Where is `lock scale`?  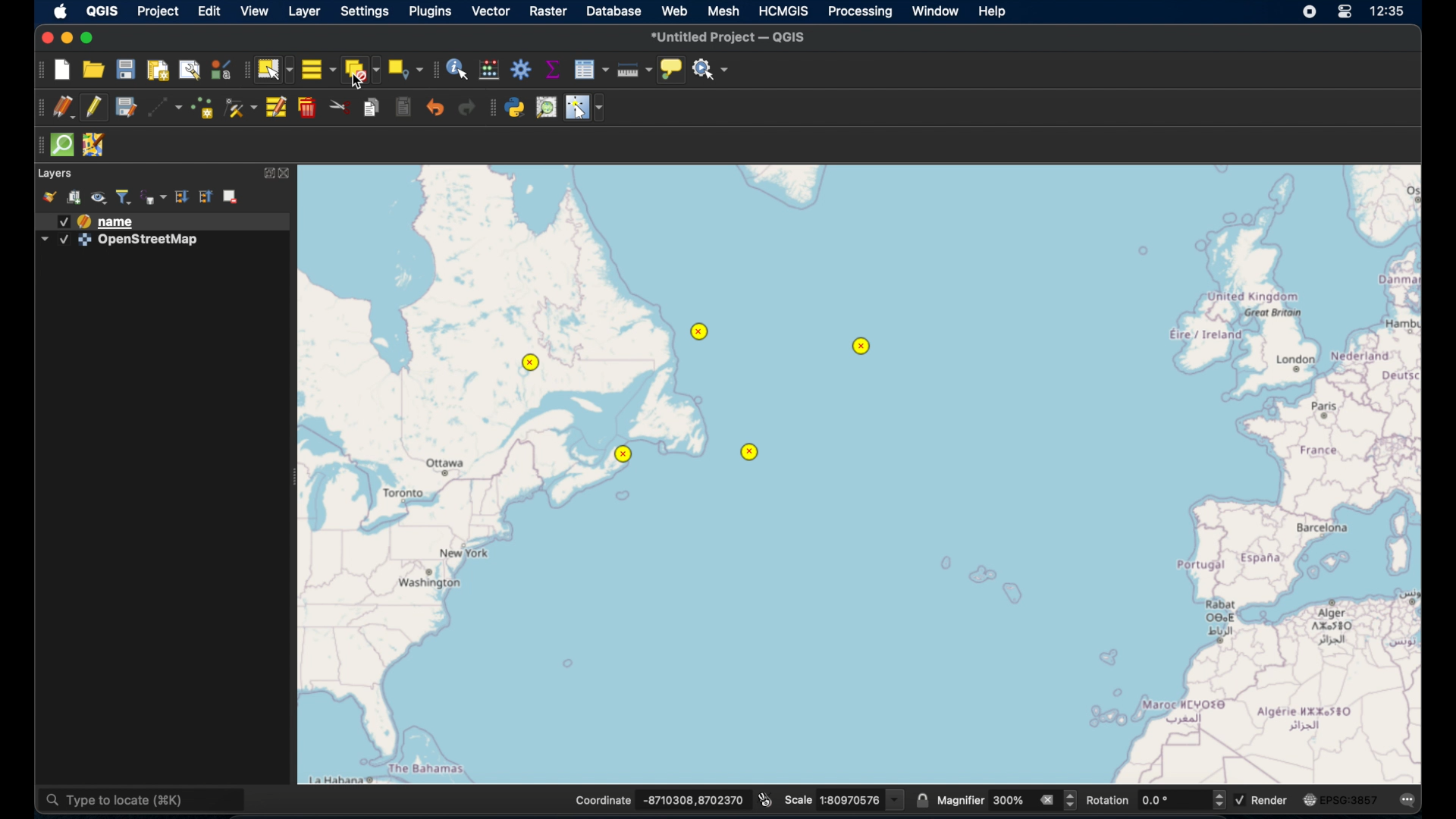
lock scale is located at coordinates (920, 801).